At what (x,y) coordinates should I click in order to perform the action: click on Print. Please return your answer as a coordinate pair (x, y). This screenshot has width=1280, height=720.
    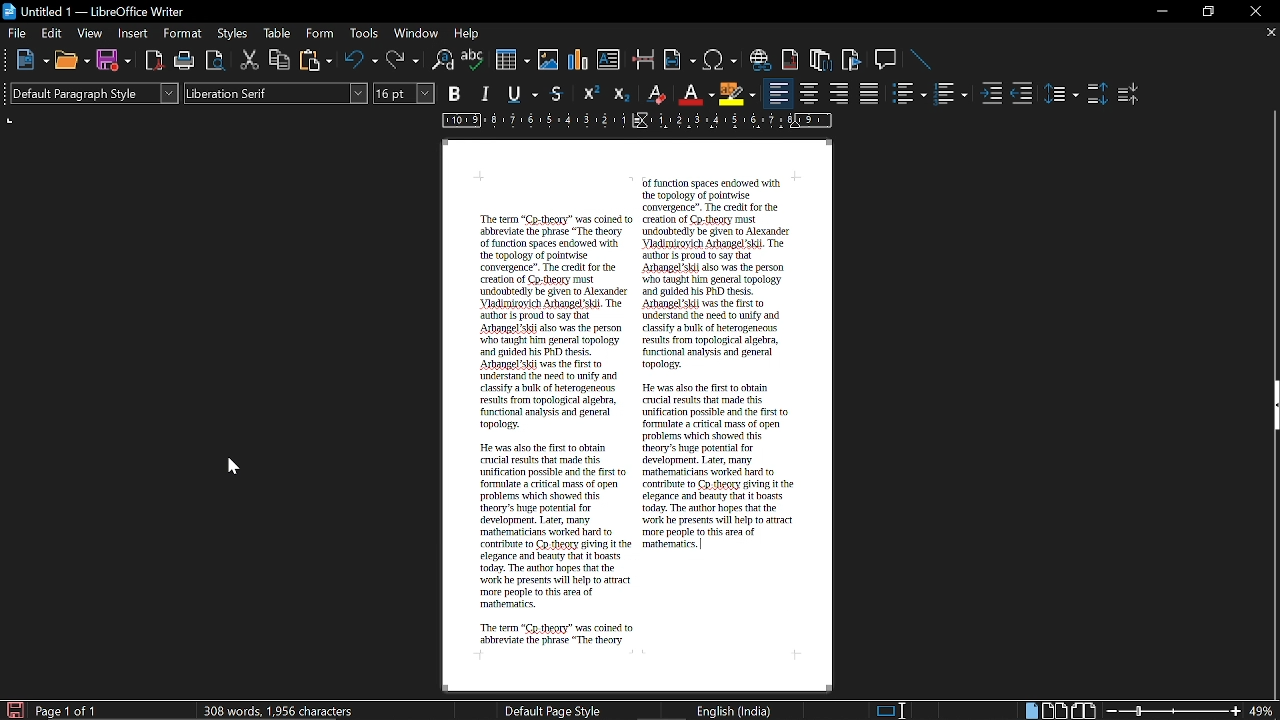
    Looking at the image, I should click on (186, 62).